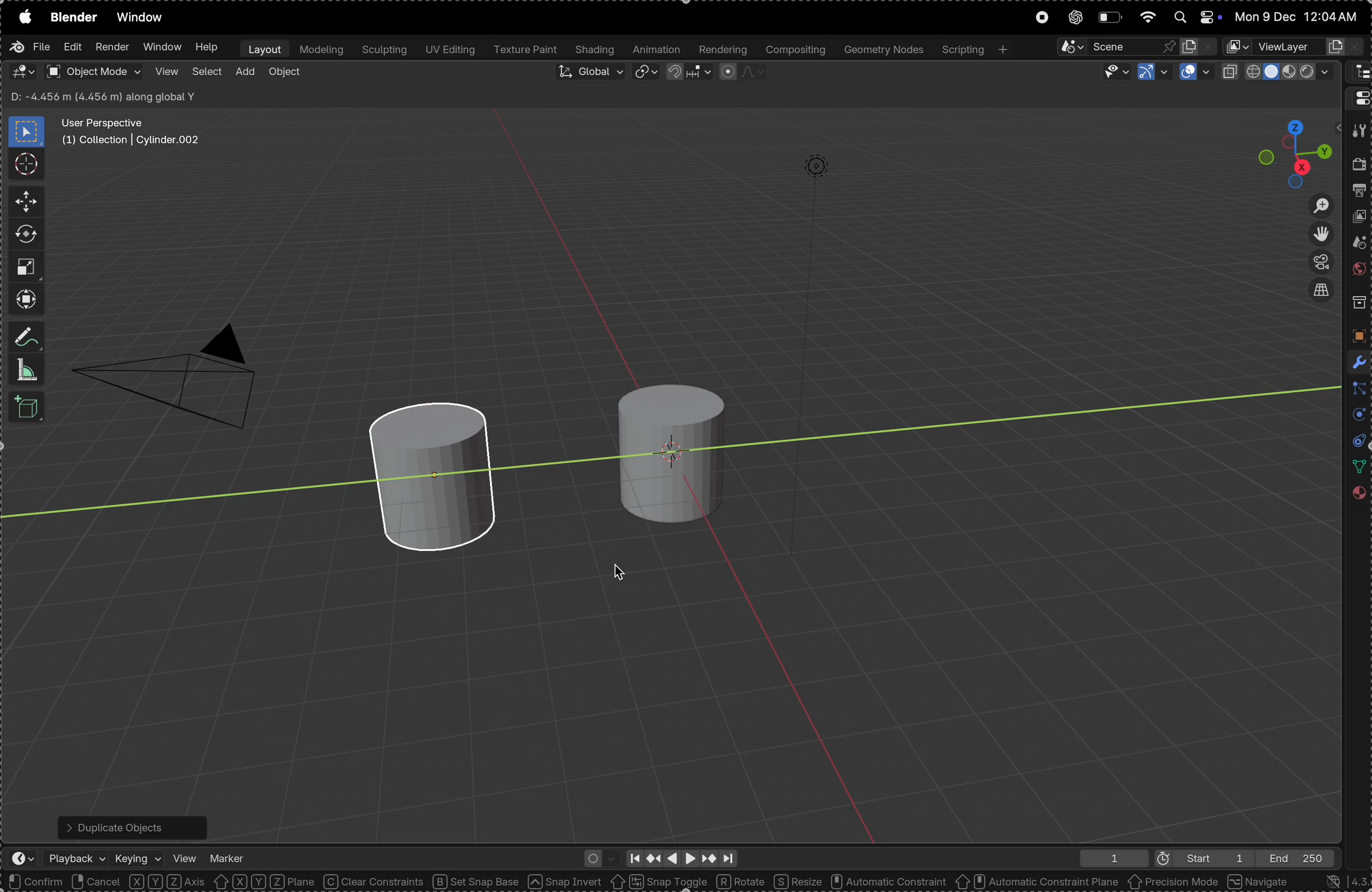 The height and width of the screenshot is (892, 1372). What do you see at coordinates (887, 882) in the screenshot?
I see `automatic constraint` at bounding box center [887, 882].